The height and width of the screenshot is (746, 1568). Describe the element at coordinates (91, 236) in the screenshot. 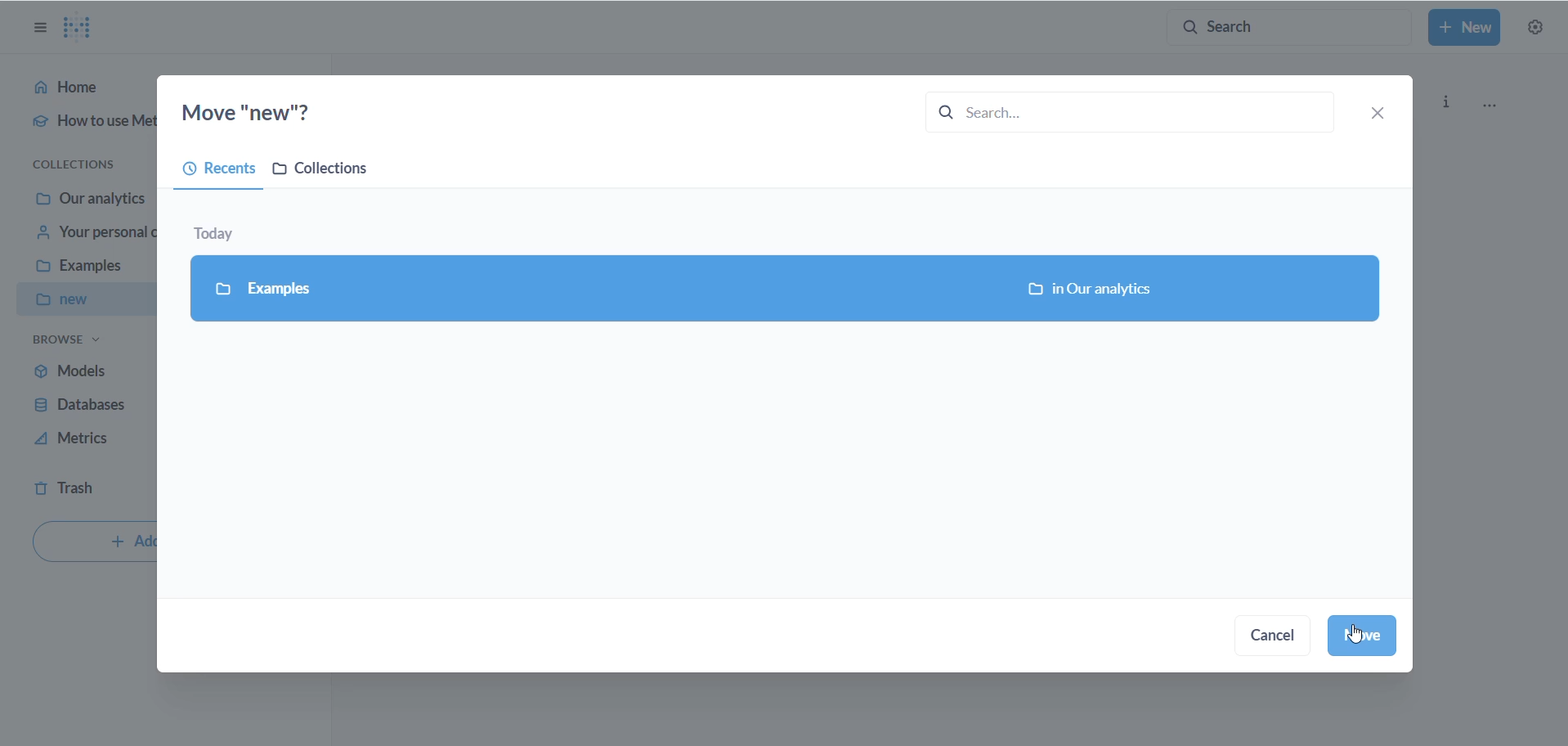

I see `your personal collection` at that location.